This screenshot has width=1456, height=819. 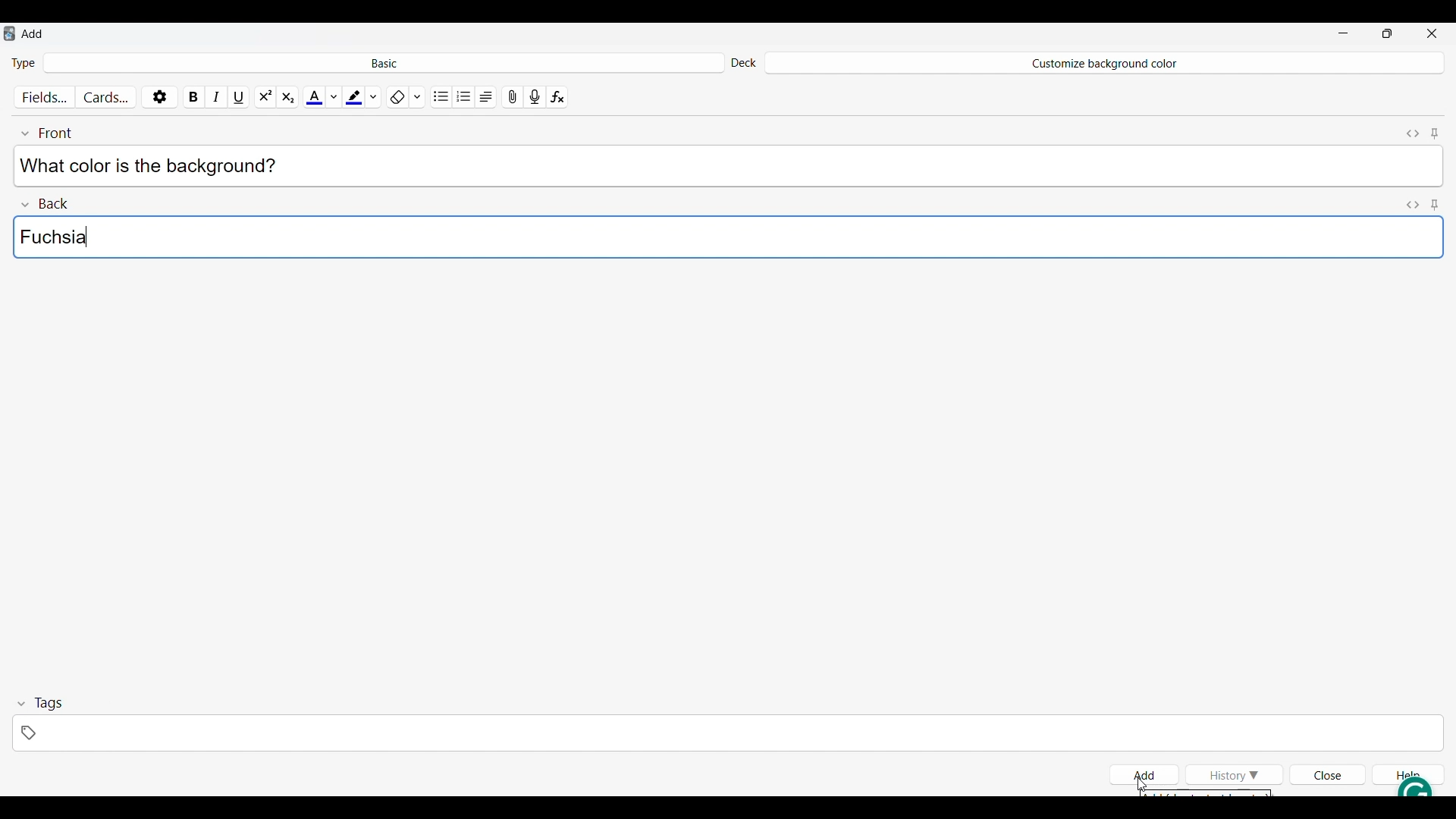 What do you see at coordinates (1103, 63) in the screenshot?
I see `Deck name changed` at bounding box center [1103, 63].